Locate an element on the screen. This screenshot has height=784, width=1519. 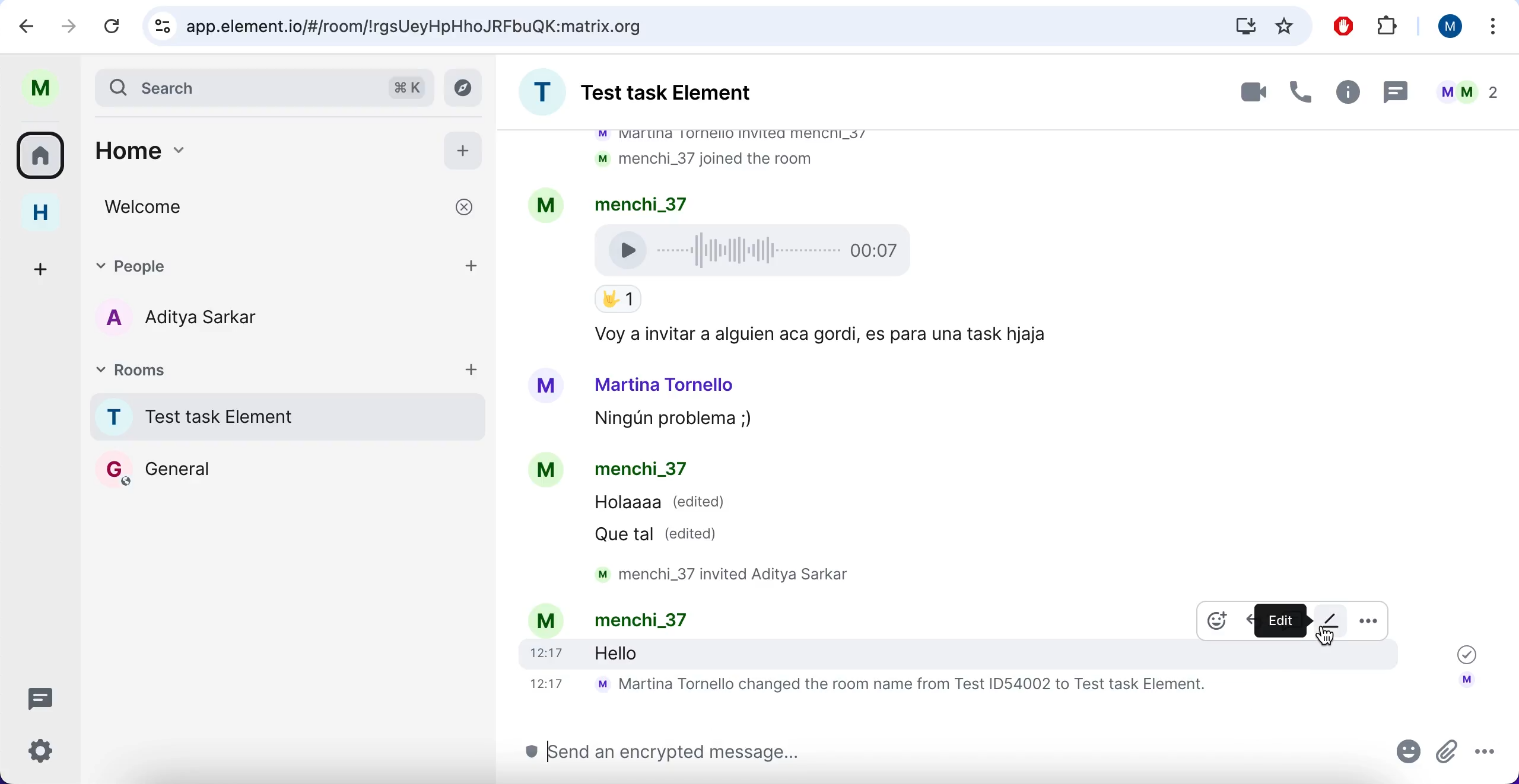
add rooms is located at coordinates (475, 371).